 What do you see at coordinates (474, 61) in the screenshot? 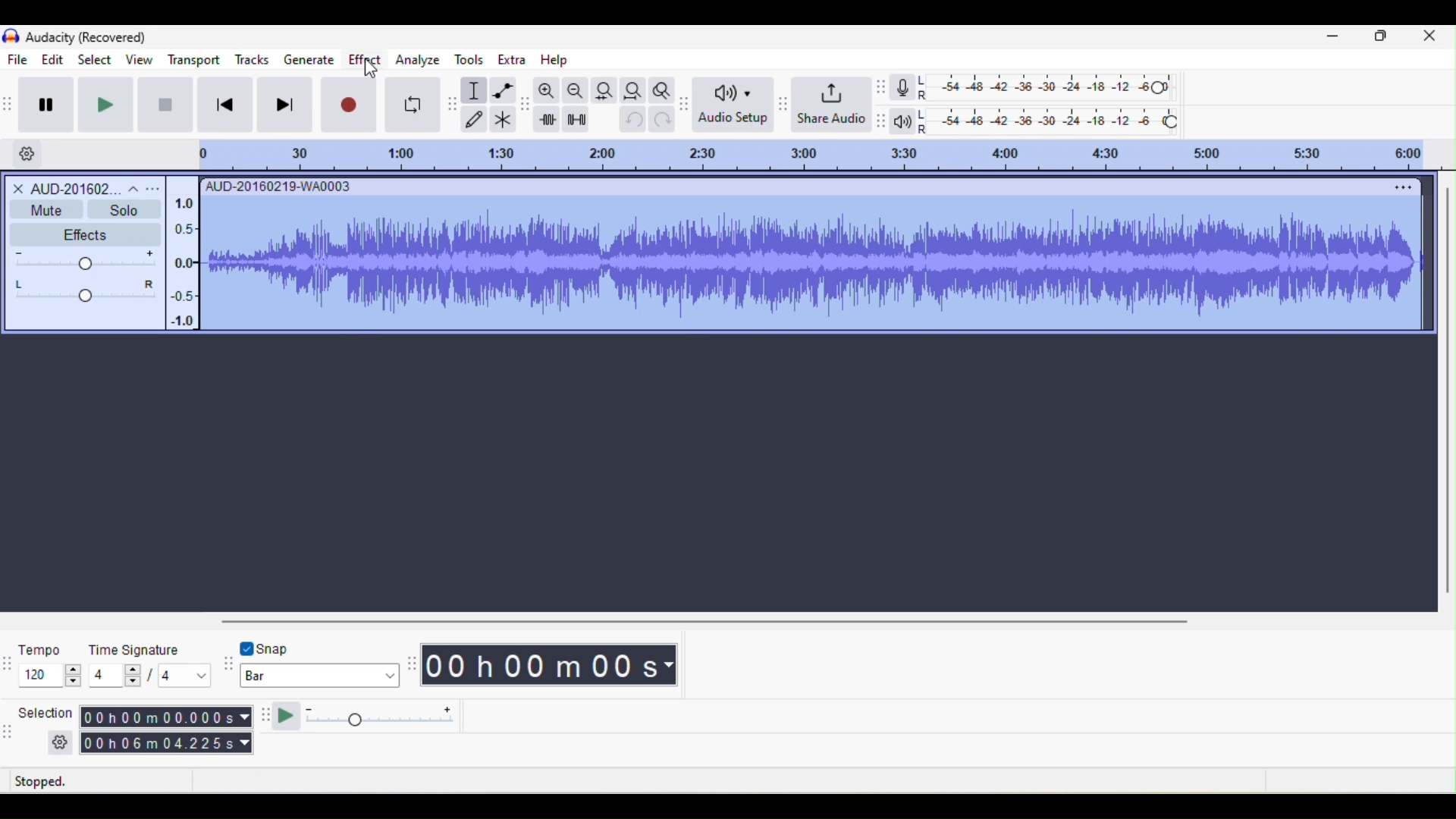
I see `tools` at bounding box center [474, 61].